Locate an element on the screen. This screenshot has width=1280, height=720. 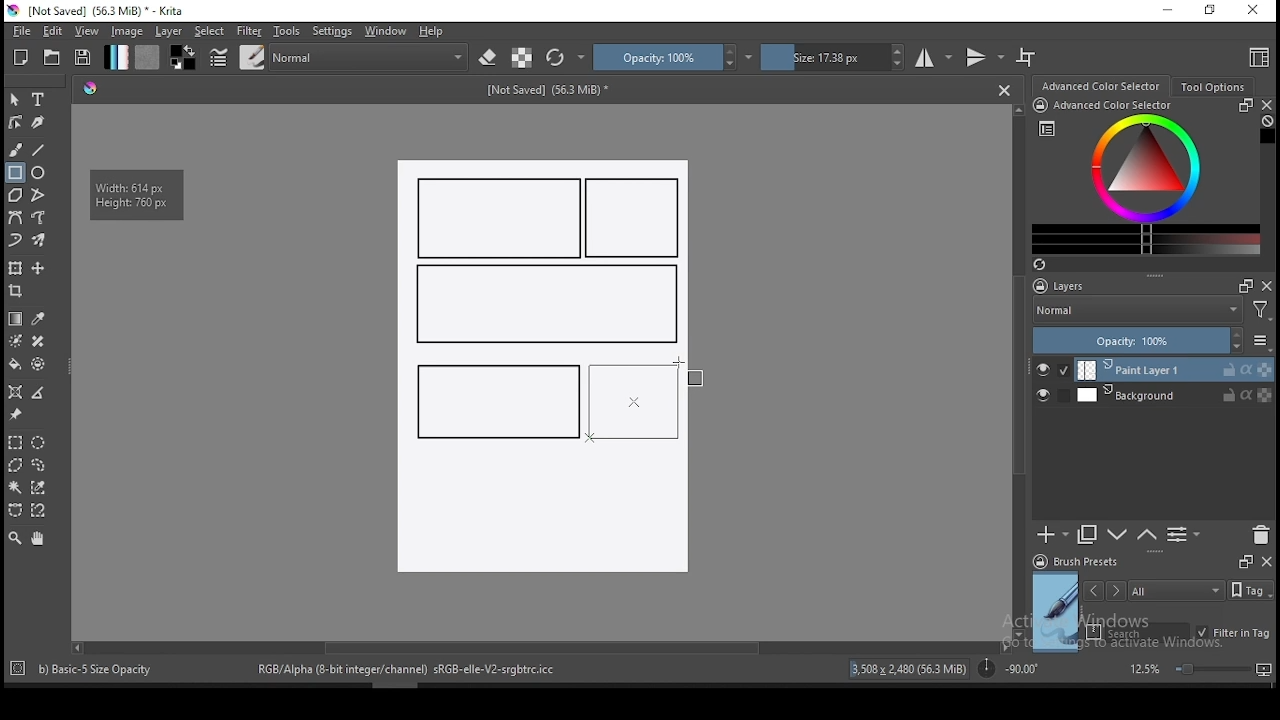
pattern is located at coordinates (147, 57).